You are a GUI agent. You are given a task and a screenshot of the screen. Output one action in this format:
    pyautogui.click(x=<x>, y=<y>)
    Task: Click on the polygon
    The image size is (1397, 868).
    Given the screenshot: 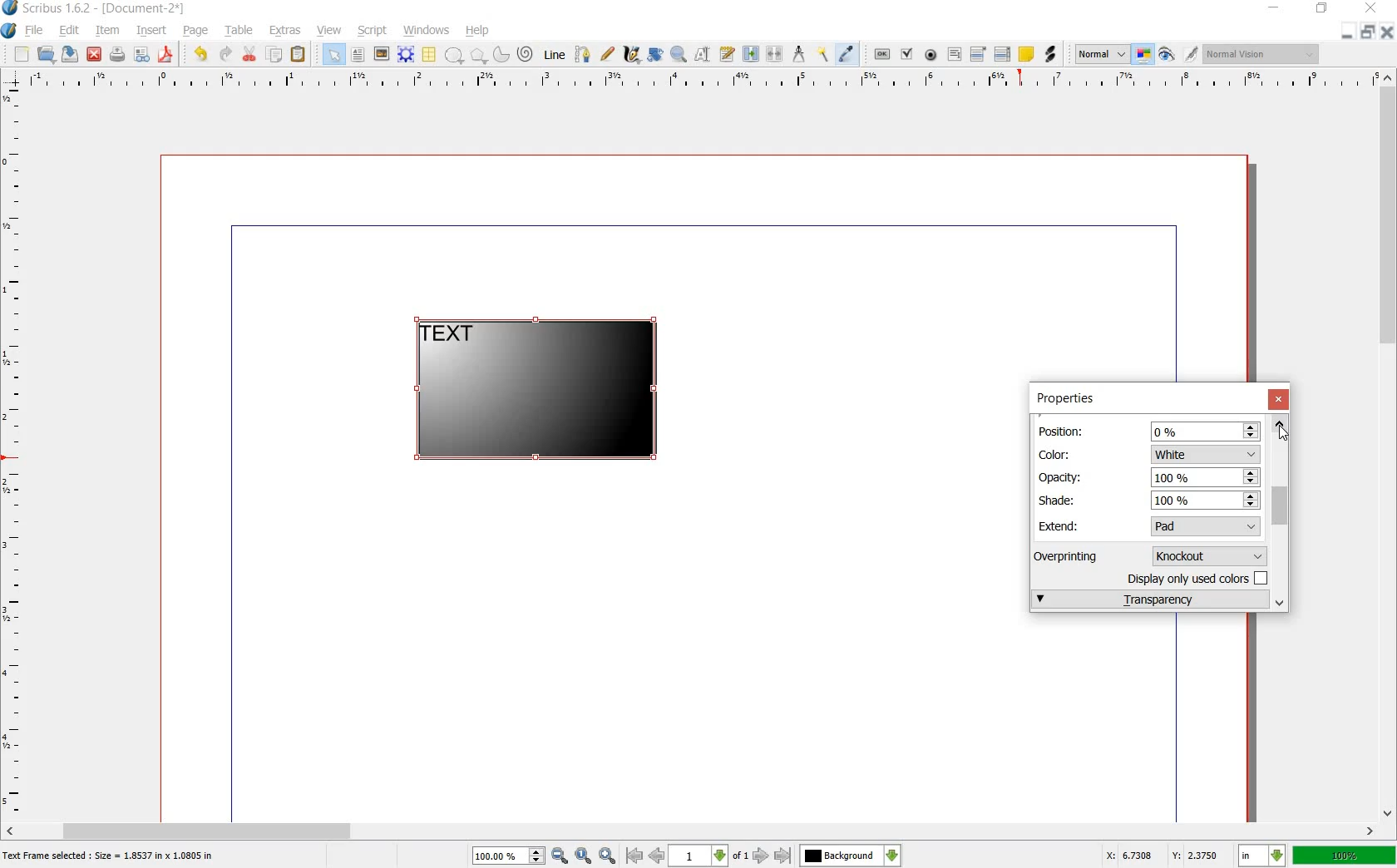 What is the action you would take?
    pyautogui.click(x=476, y=55)
    